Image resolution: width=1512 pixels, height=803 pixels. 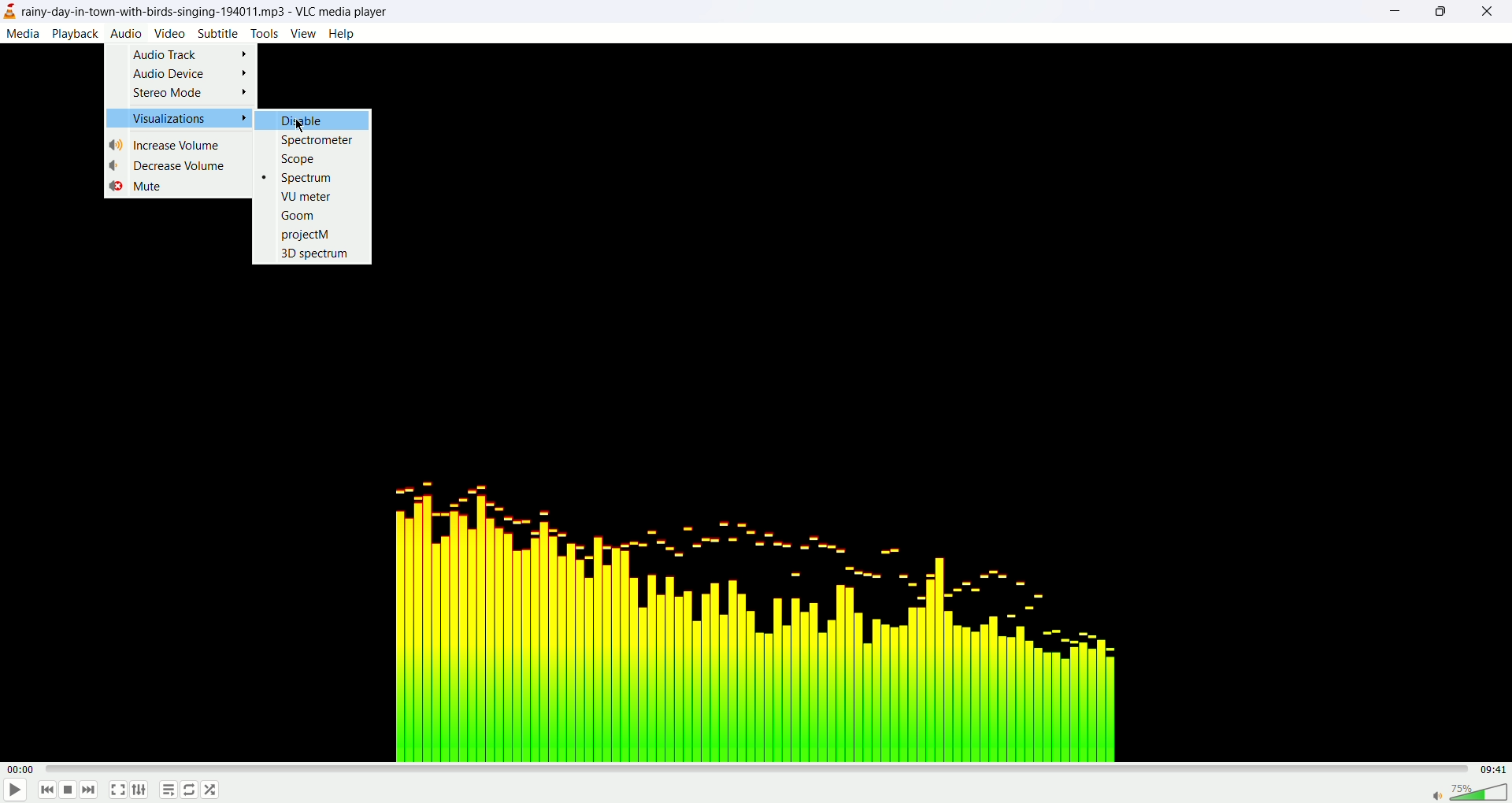 What do you see at coordinates (342, 34) in the screenshot?
I see `help` at bounding box center [342, 34].